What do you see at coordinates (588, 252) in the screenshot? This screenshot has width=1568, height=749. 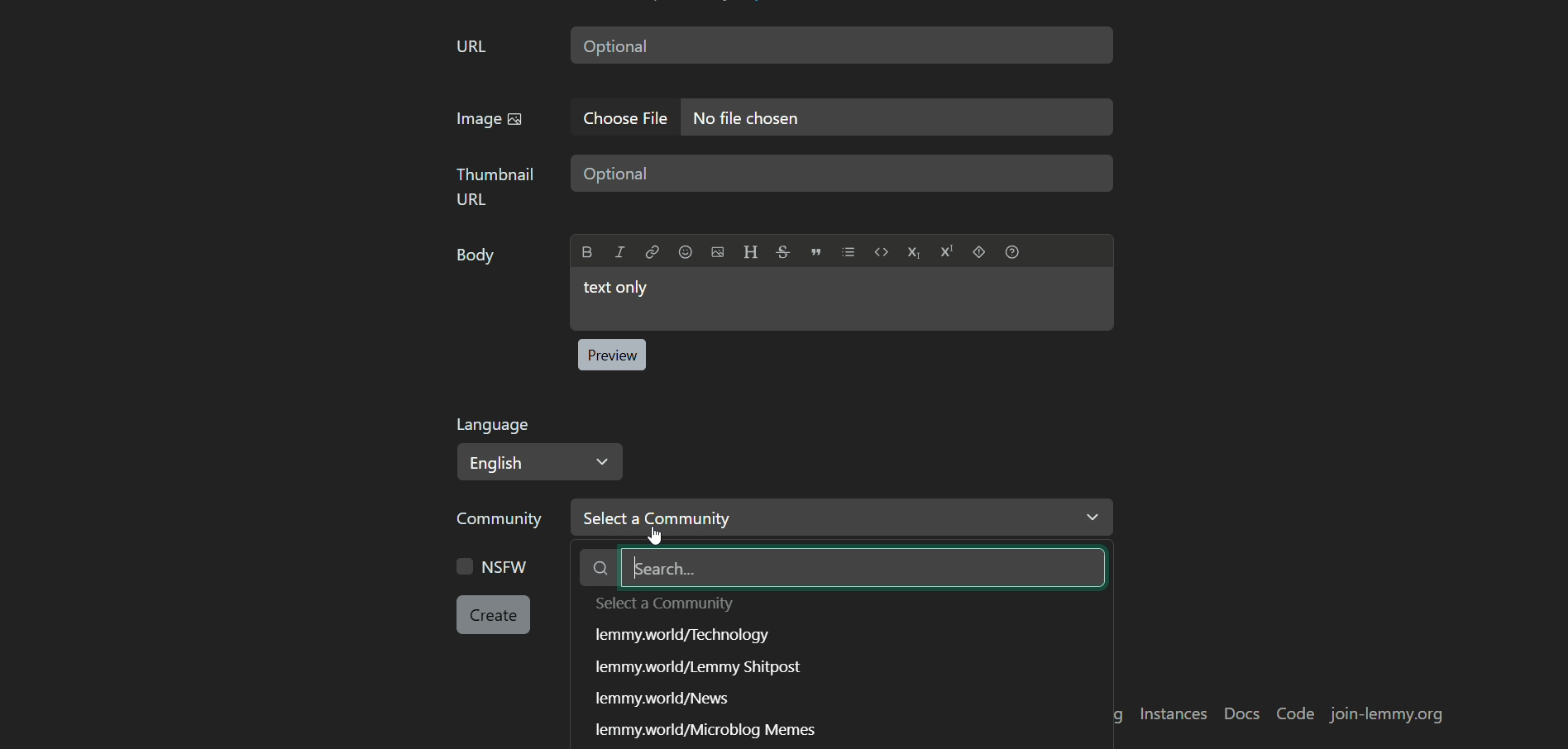 I see `Bold` at bounding box center [588, 252].